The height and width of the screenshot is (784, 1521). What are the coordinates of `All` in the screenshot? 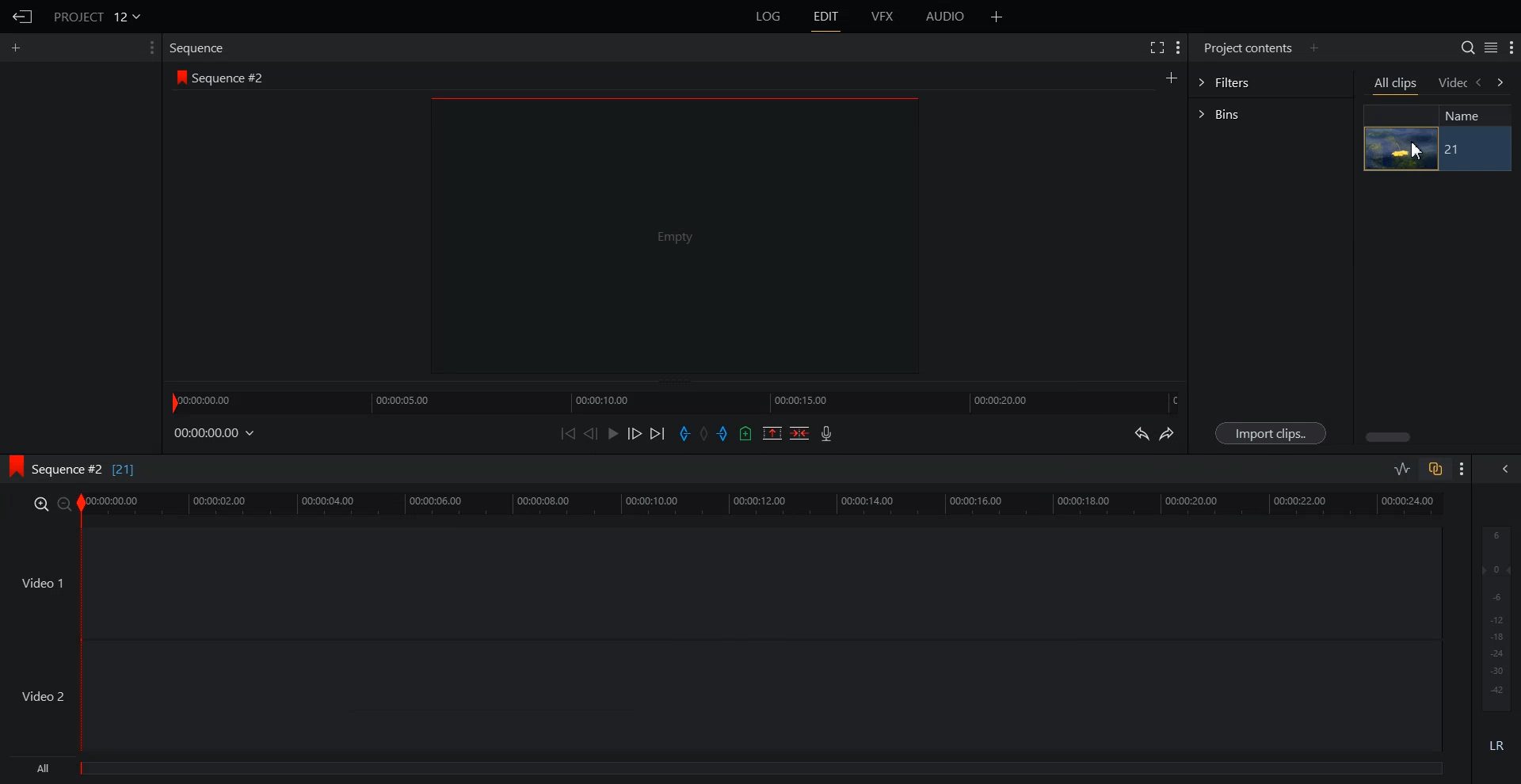 It's located at (729, 771).